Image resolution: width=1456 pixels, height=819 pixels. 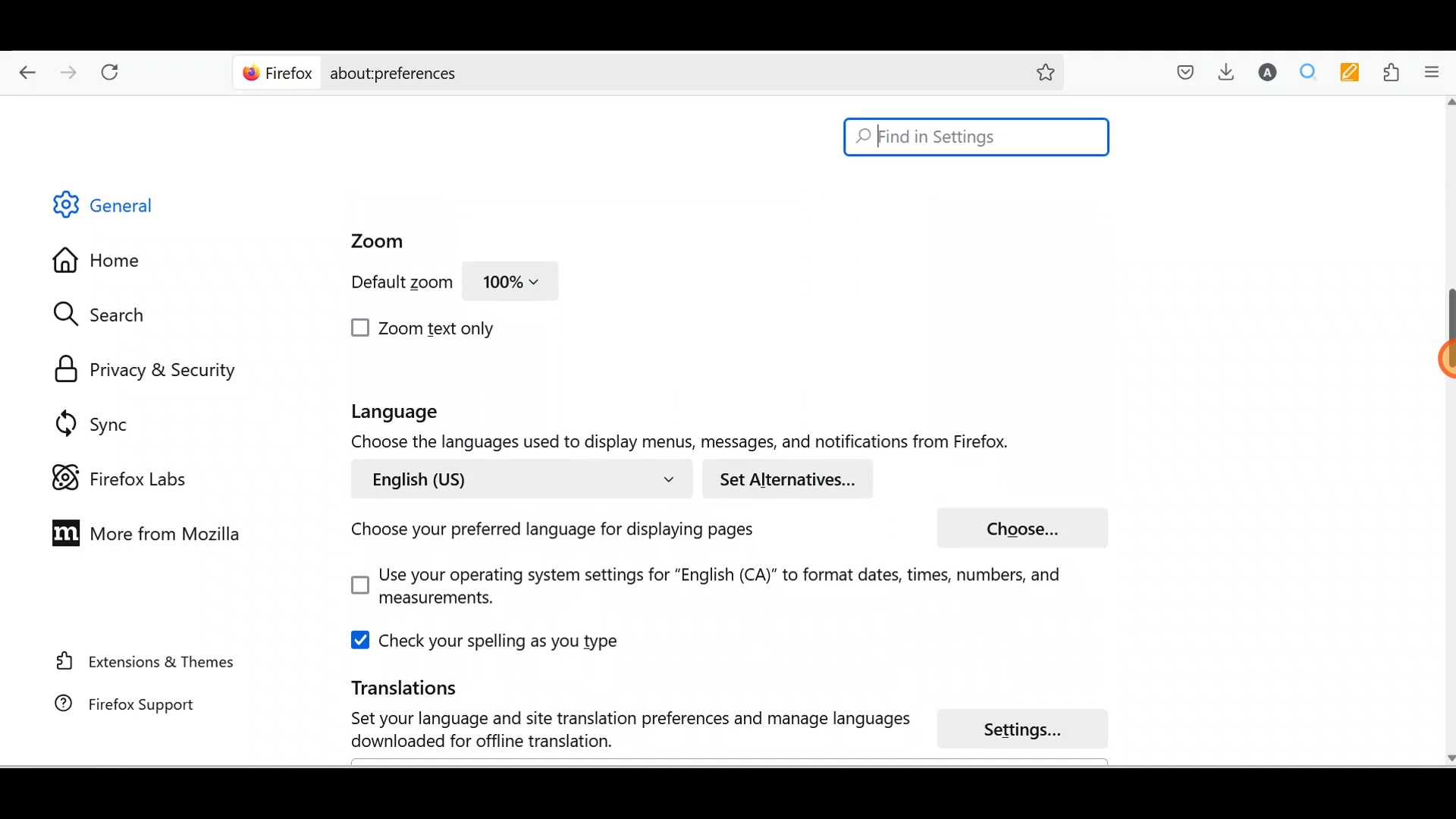 What do you see at coordinates (71, 71) in the screenshot?
I see `Go forward back one page` at bounding box center [71, 71].